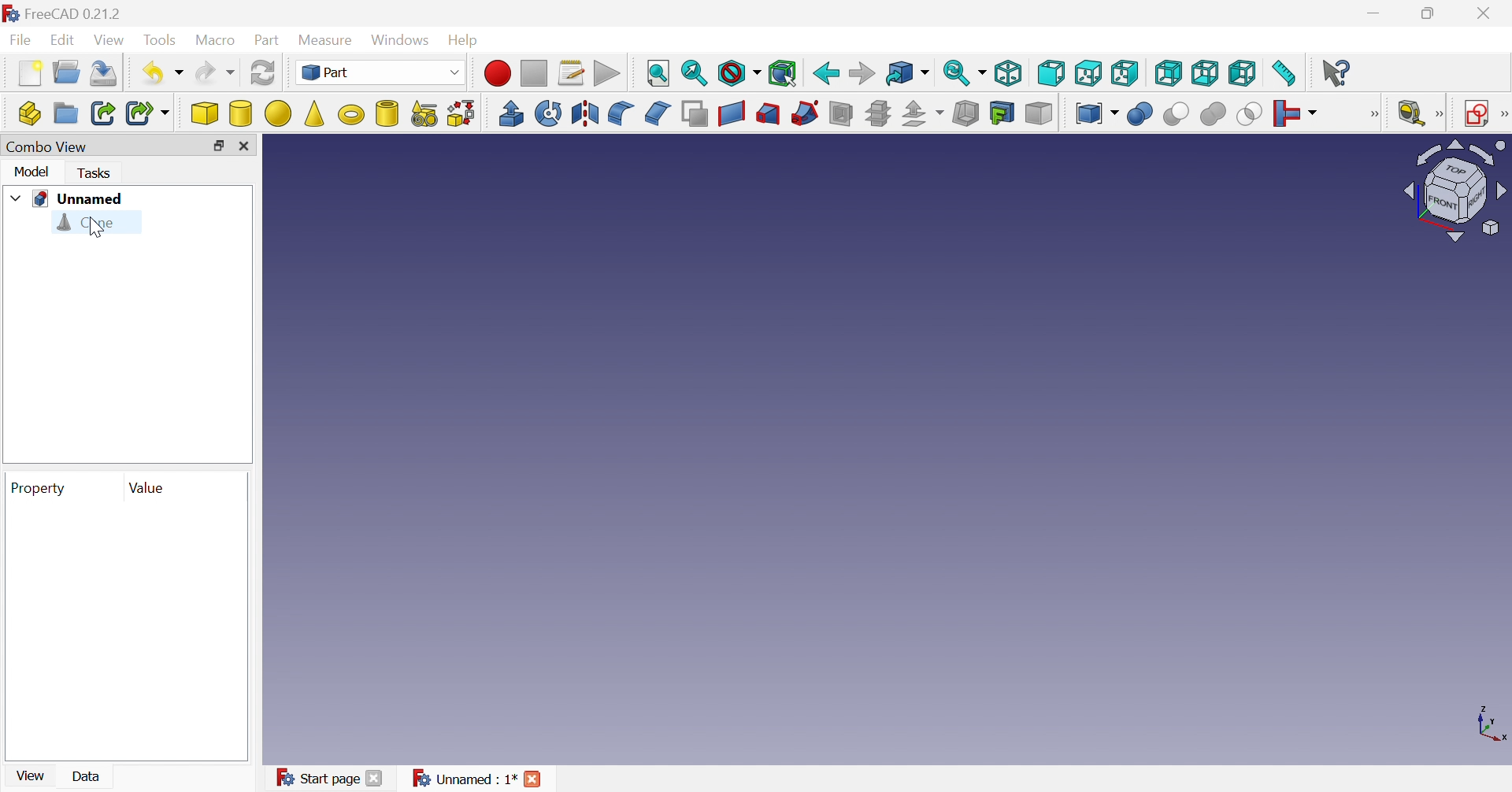  What do you see at coordinates (81, 198) in the screenshot?
I see `Unnamed` at bounding box center [81, 198].